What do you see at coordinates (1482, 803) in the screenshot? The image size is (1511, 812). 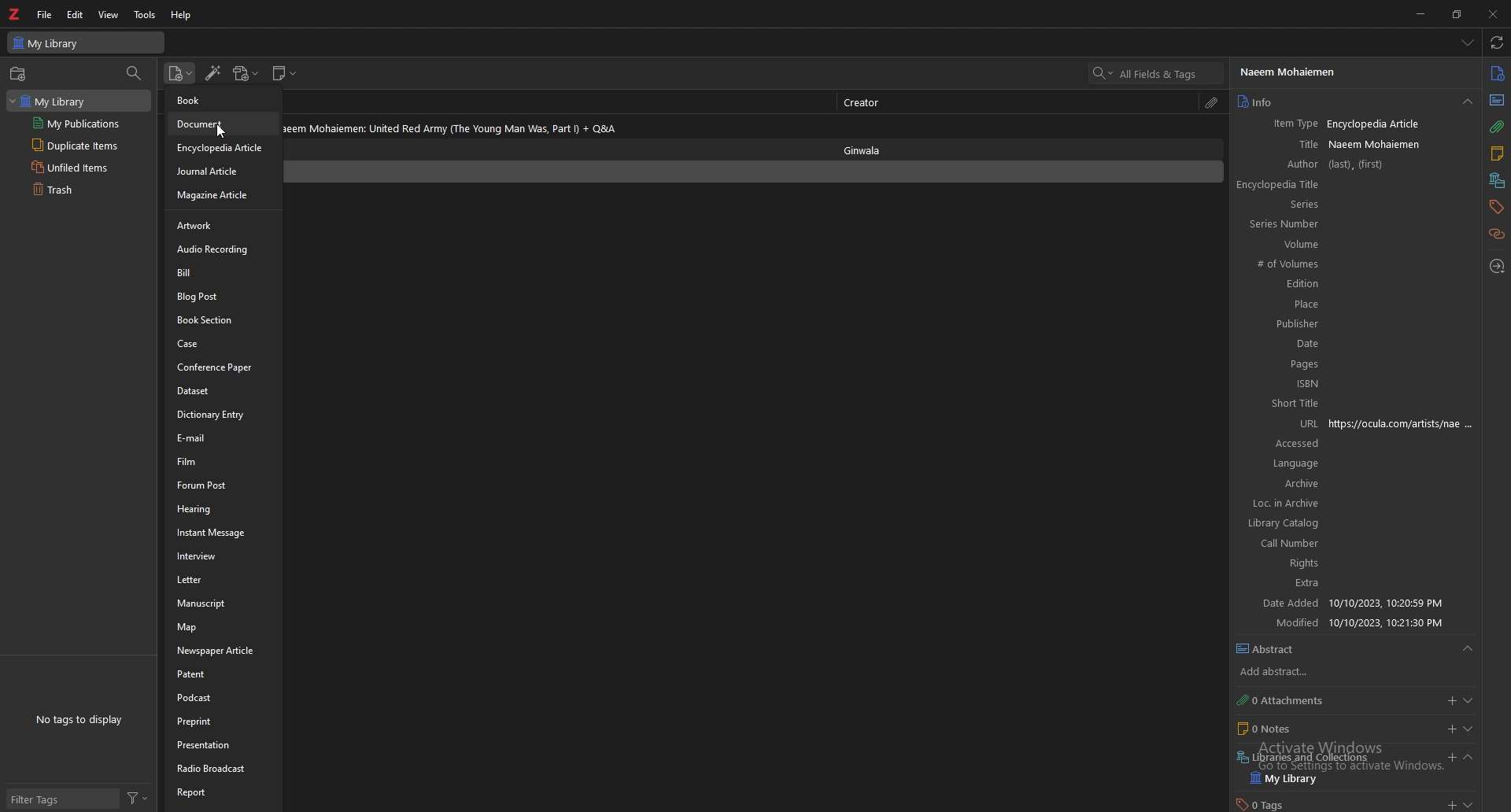 I see `expand section` at bounding box center [1482, 803].